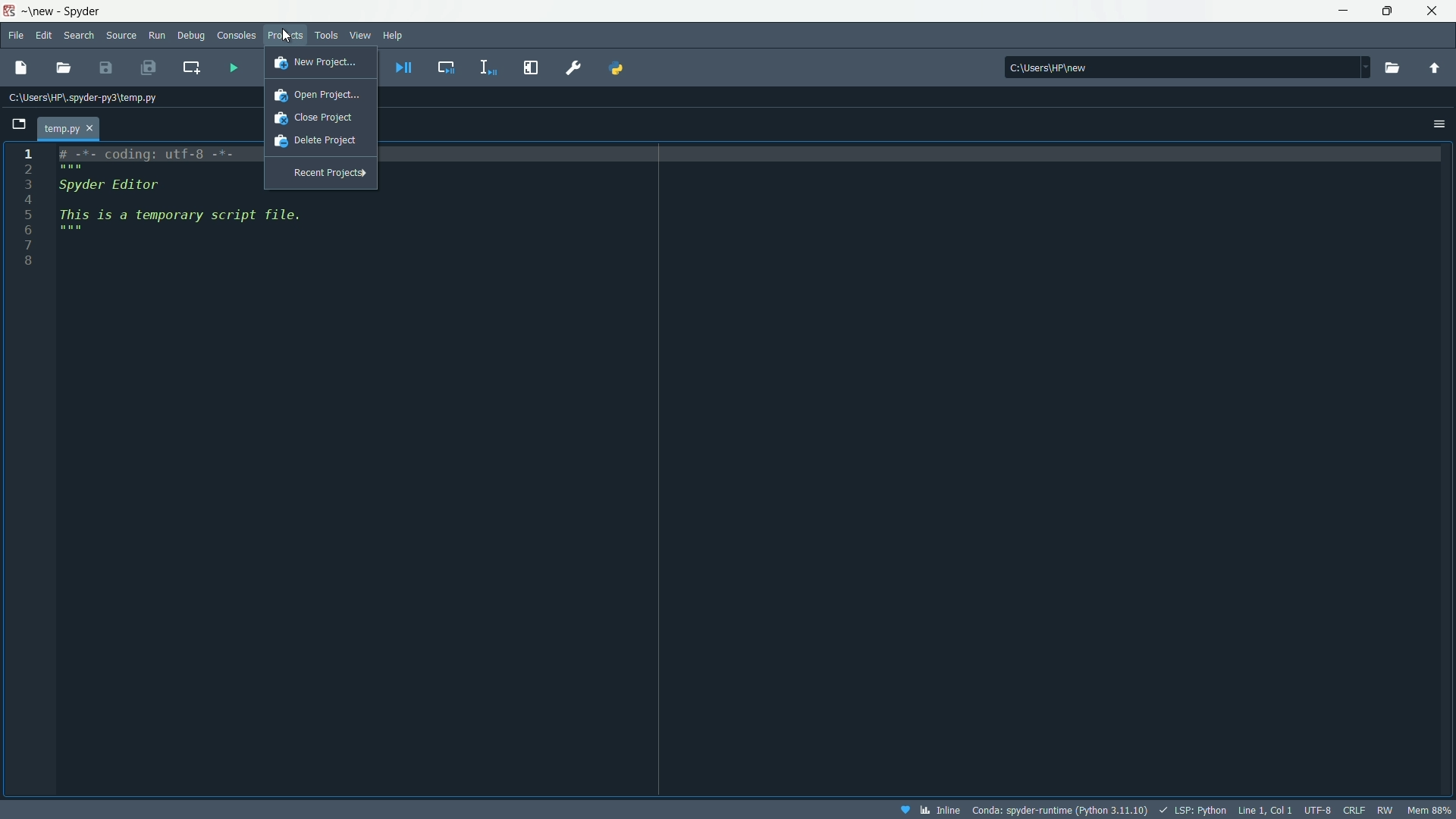  What do you see at coordinates (1434, 65) in the screenshot?
I see `Change to parent directory` at bounding box center [1434, 65].